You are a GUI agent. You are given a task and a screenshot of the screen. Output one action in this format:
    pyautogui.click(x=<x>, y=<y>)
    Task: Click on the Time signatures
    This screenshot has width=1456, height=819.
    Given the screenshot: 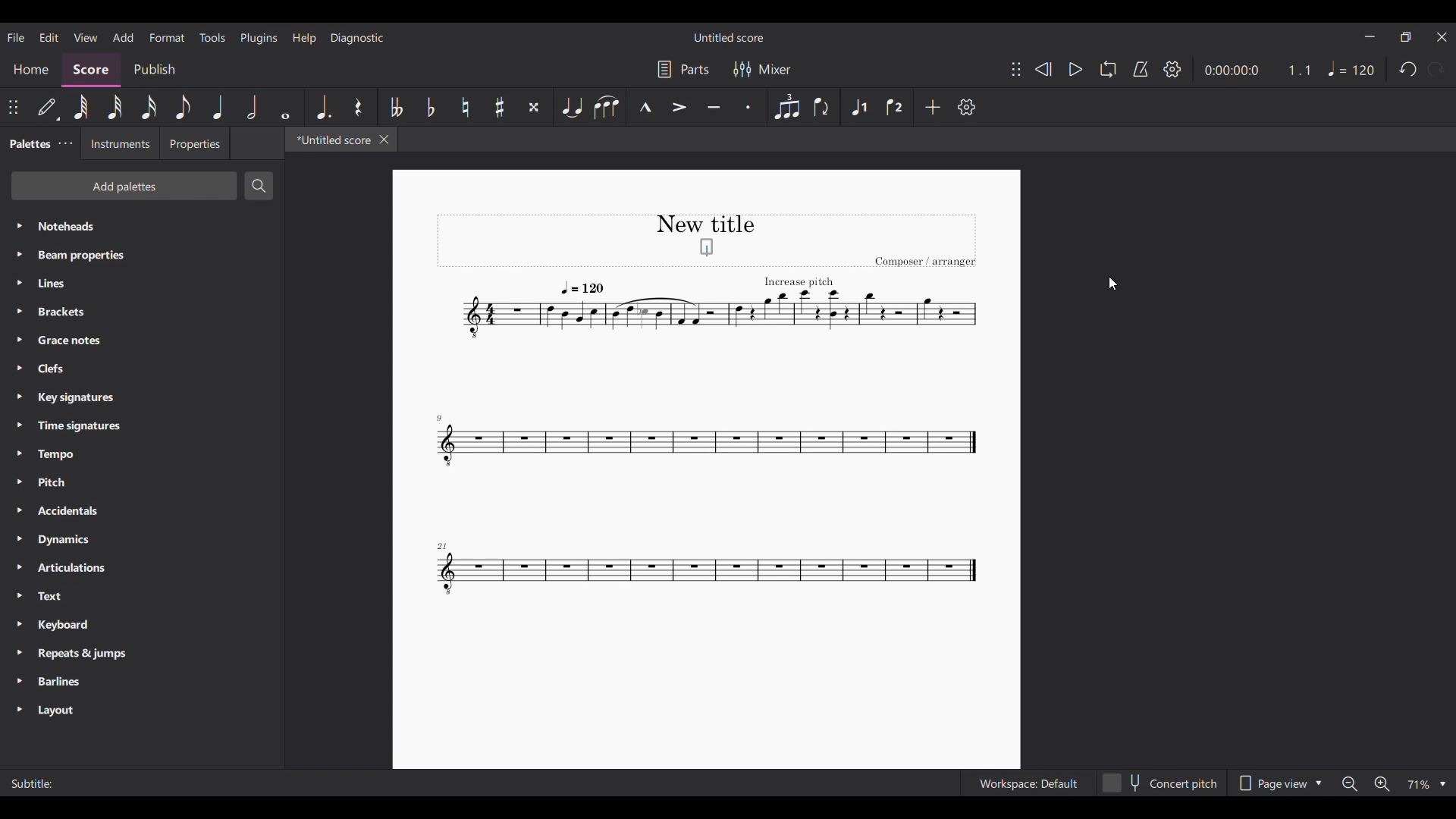 What is the action you would take?
    pyautogui.click(x=142, y=426)
    